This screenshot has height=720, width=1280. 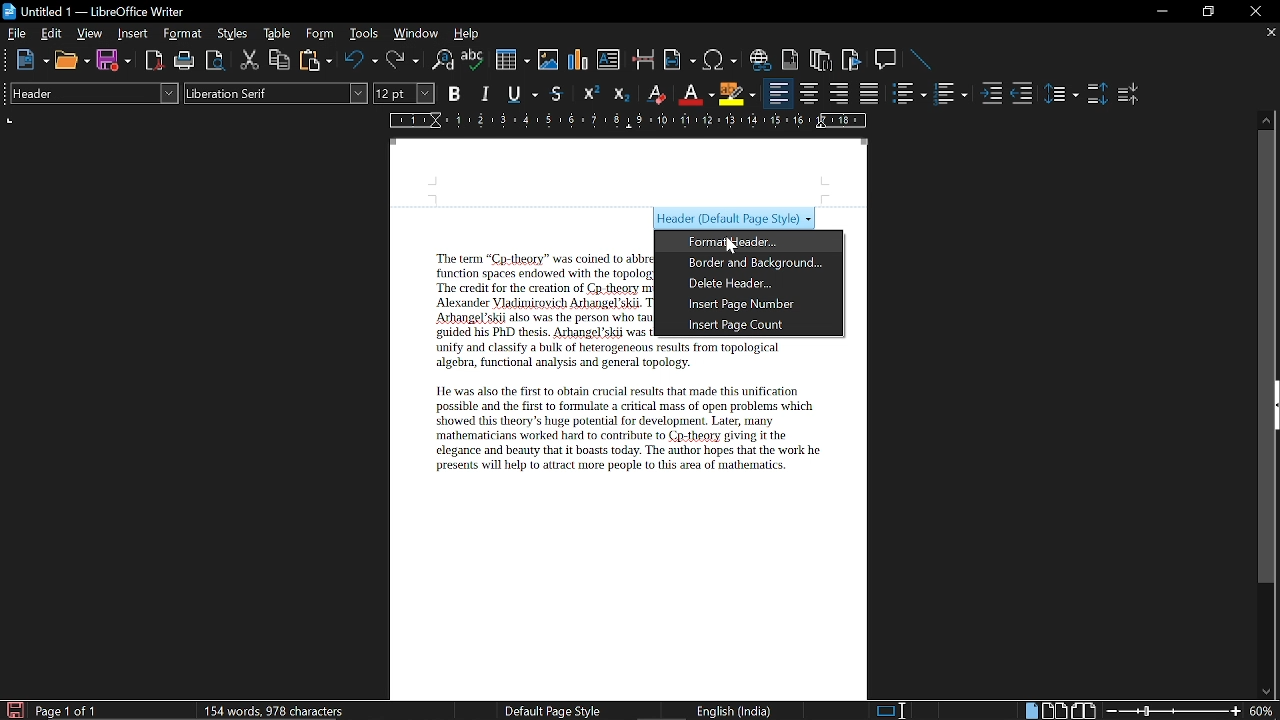 What do you see at coordinates (277, 93) in the screenshot?
I see `Text style` at bounding box center [277, 93].